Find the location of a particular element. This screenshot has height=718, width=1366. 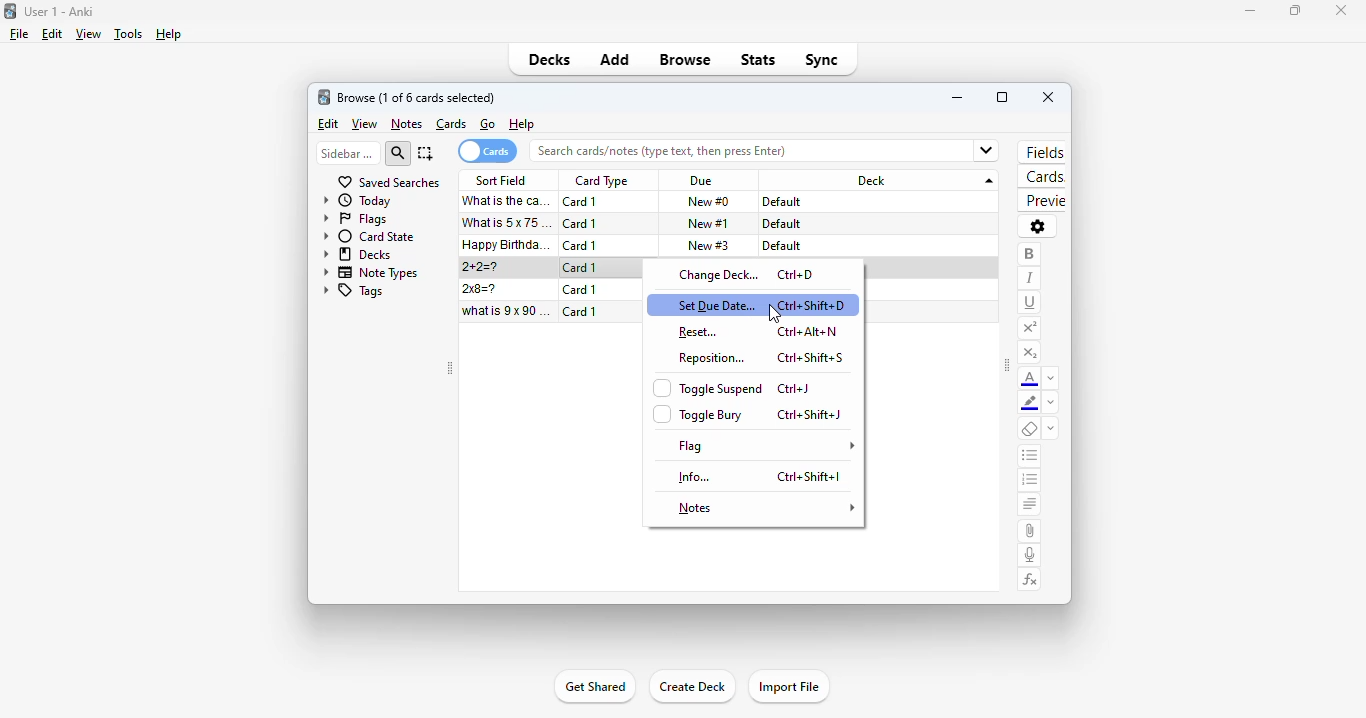

add is located at coordinates (614, 61).